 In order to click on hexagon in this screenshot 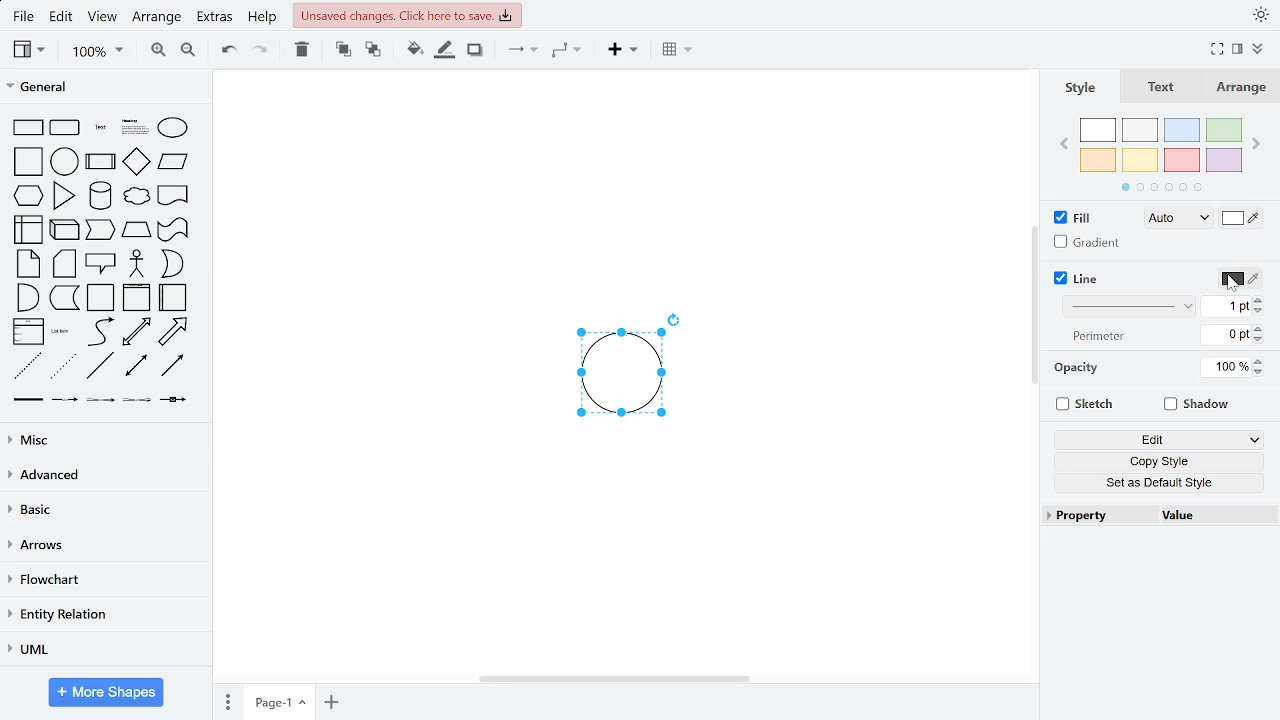, I will do `click(28, 196)`.